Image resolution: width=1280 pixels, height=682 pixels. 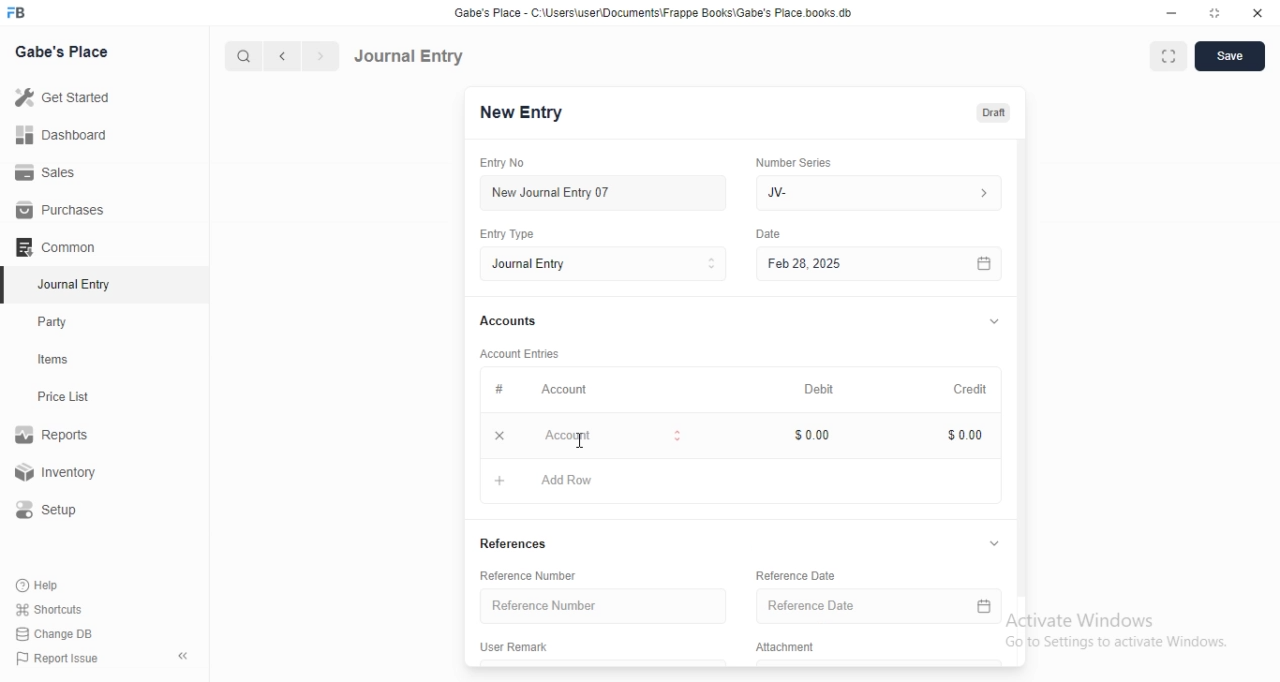 What do you see at coordinates (883, 193) in the screenshot?
I see `JV-` at bounding box center [883, 193].